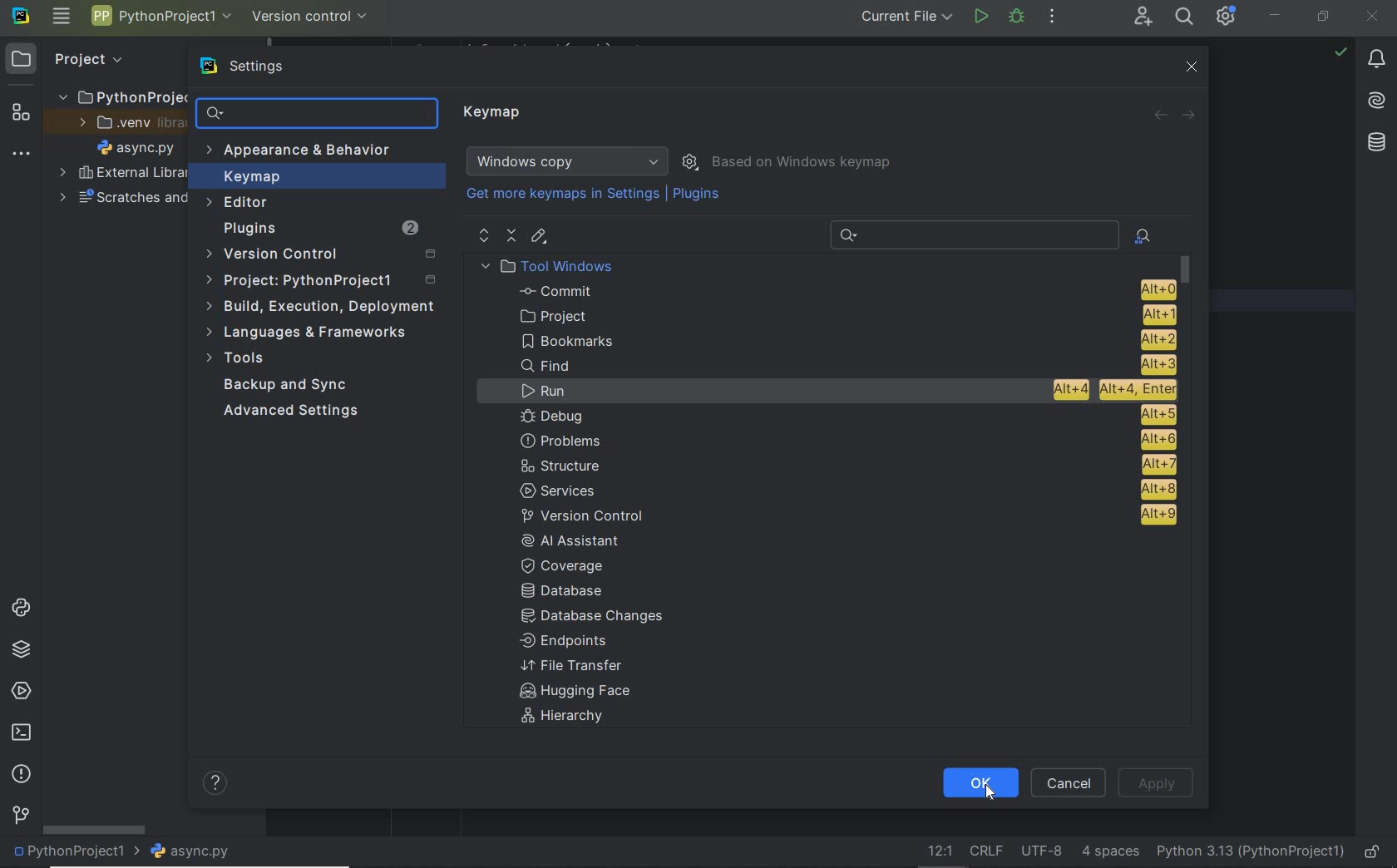 This screenshot has width=1397, height=868. What do you see at coordinates (1066, 782) in the screenshot?
I see `Cancel` at bounding box center [1066, 782].